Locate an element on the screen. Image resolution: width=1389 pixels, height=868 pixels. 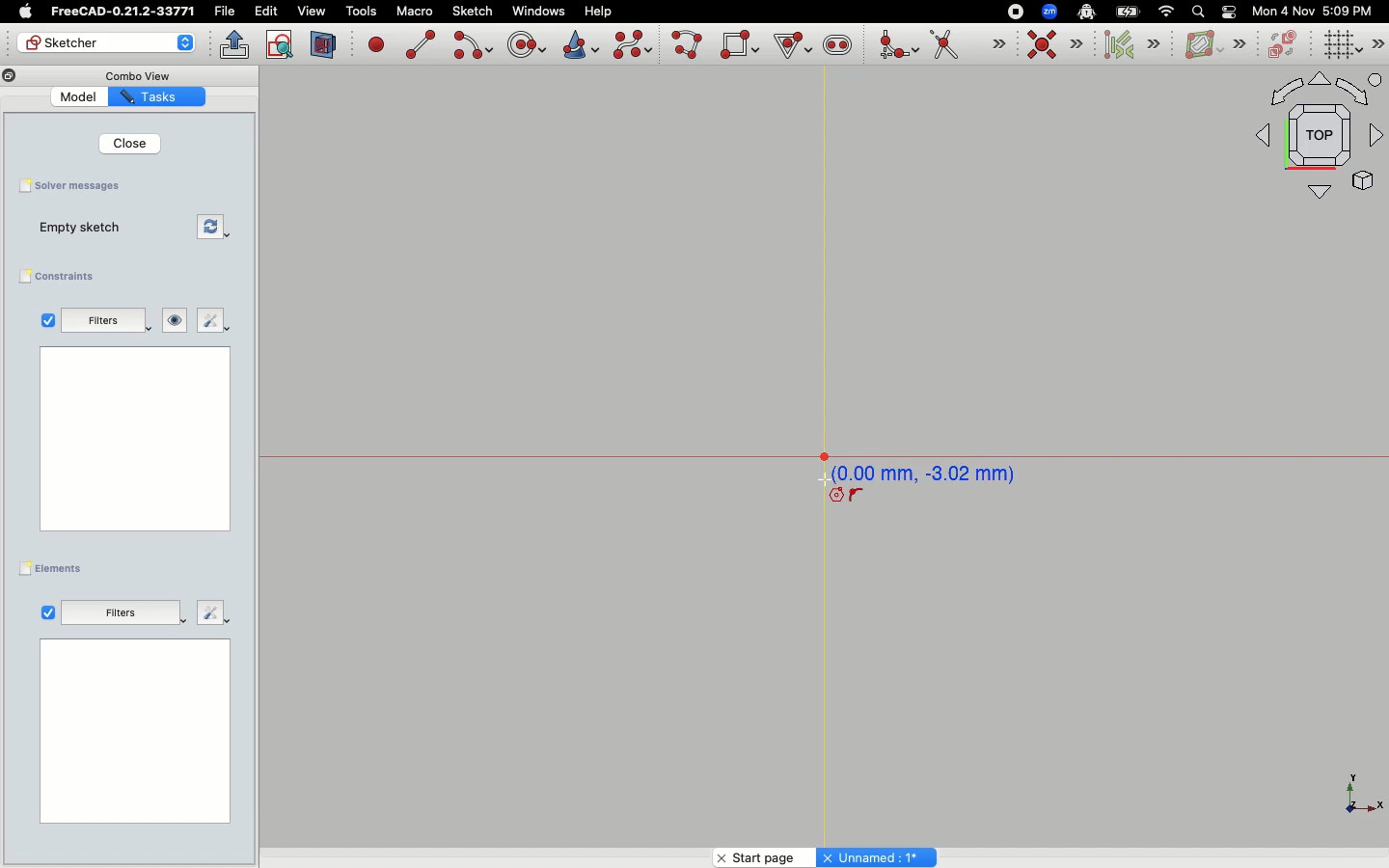
Create slot is located at coordinates (836, 47).